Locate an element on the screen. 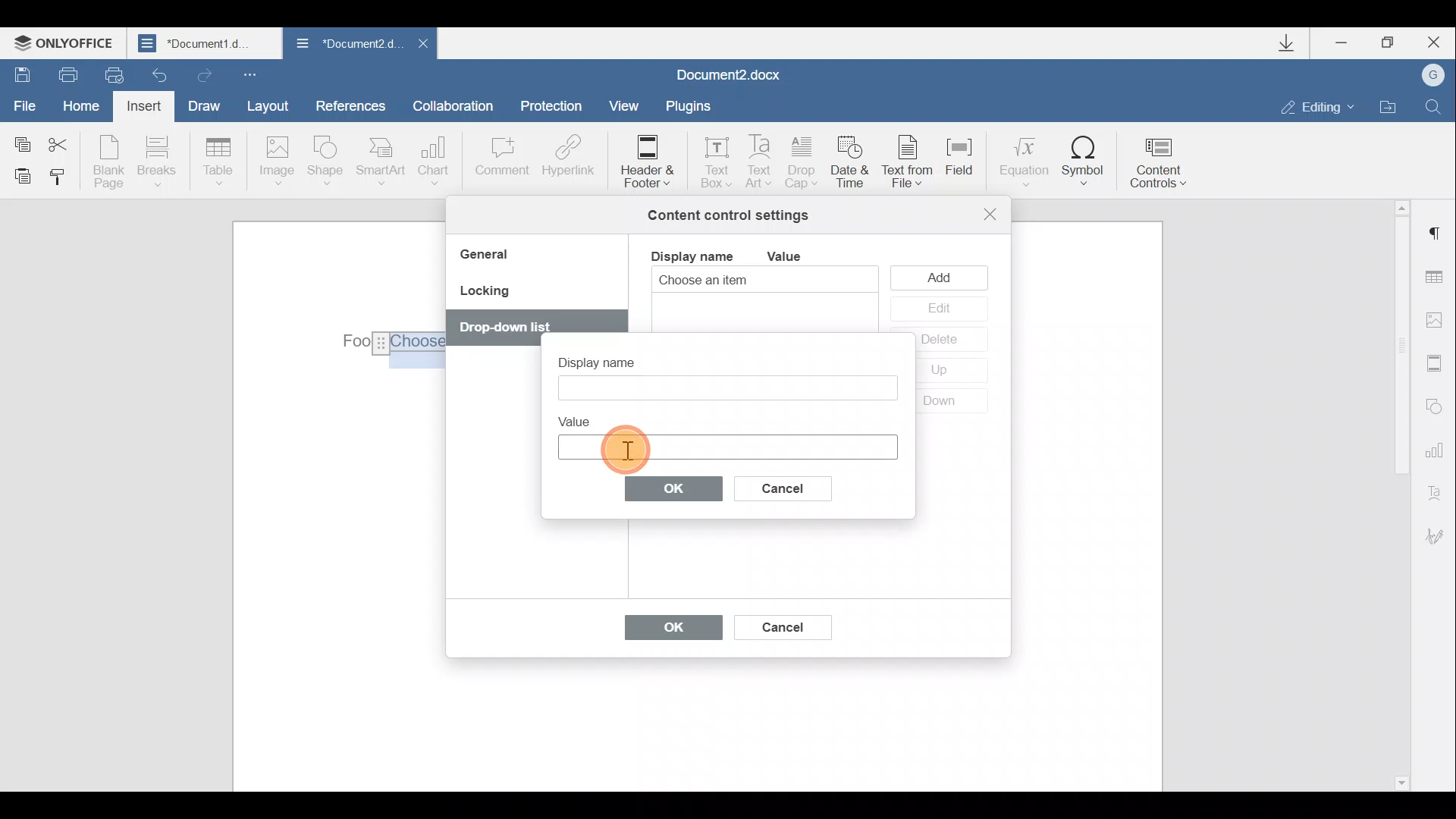  Text Art settings is located at coordinates (1439, 490).